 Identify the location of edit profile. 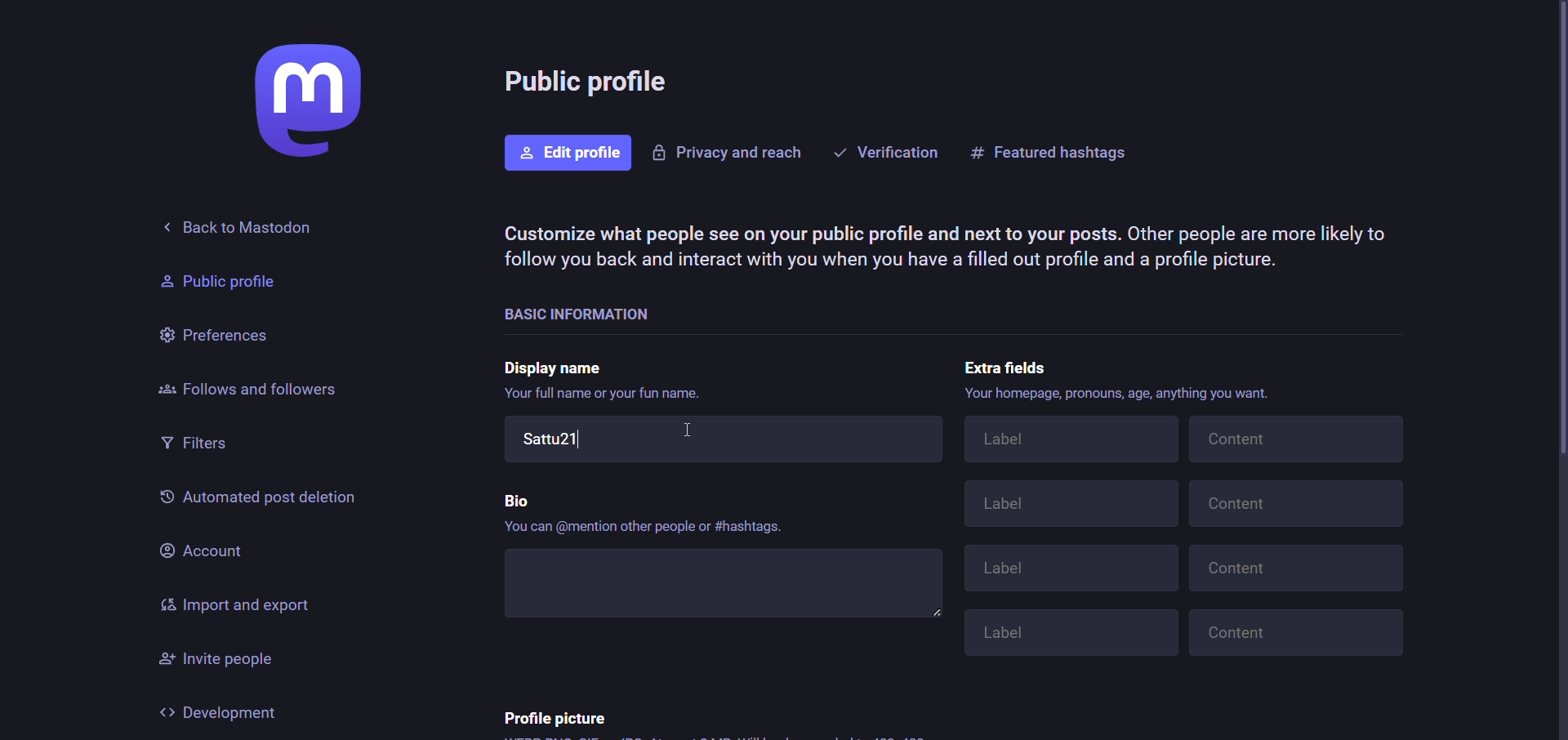
(568, 154).